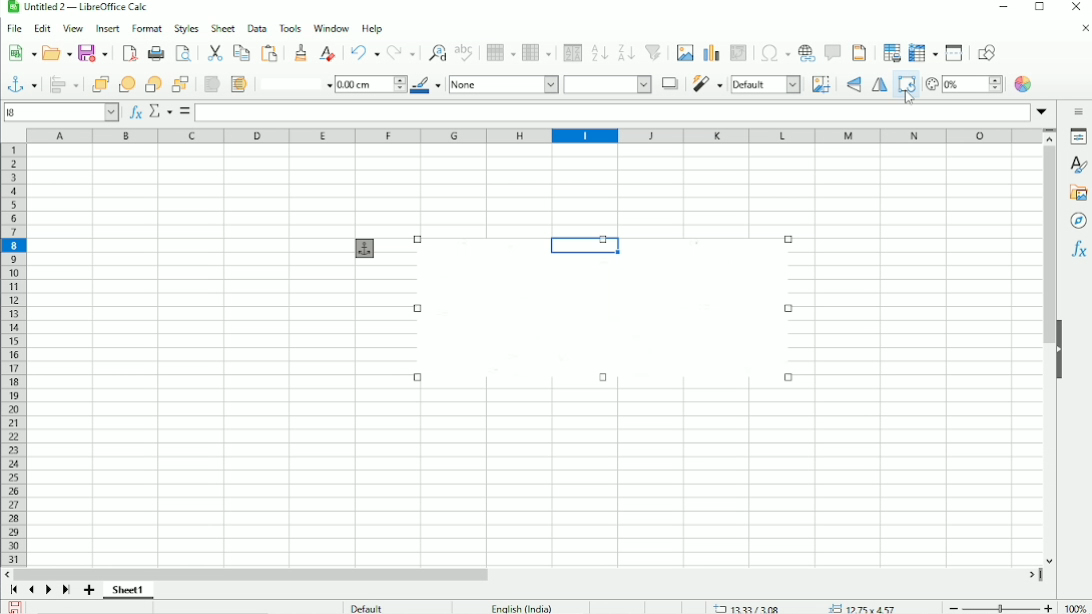  Describe the element at coordinates (1001, 6) in the screenshot. I see `Minimize` at that location.